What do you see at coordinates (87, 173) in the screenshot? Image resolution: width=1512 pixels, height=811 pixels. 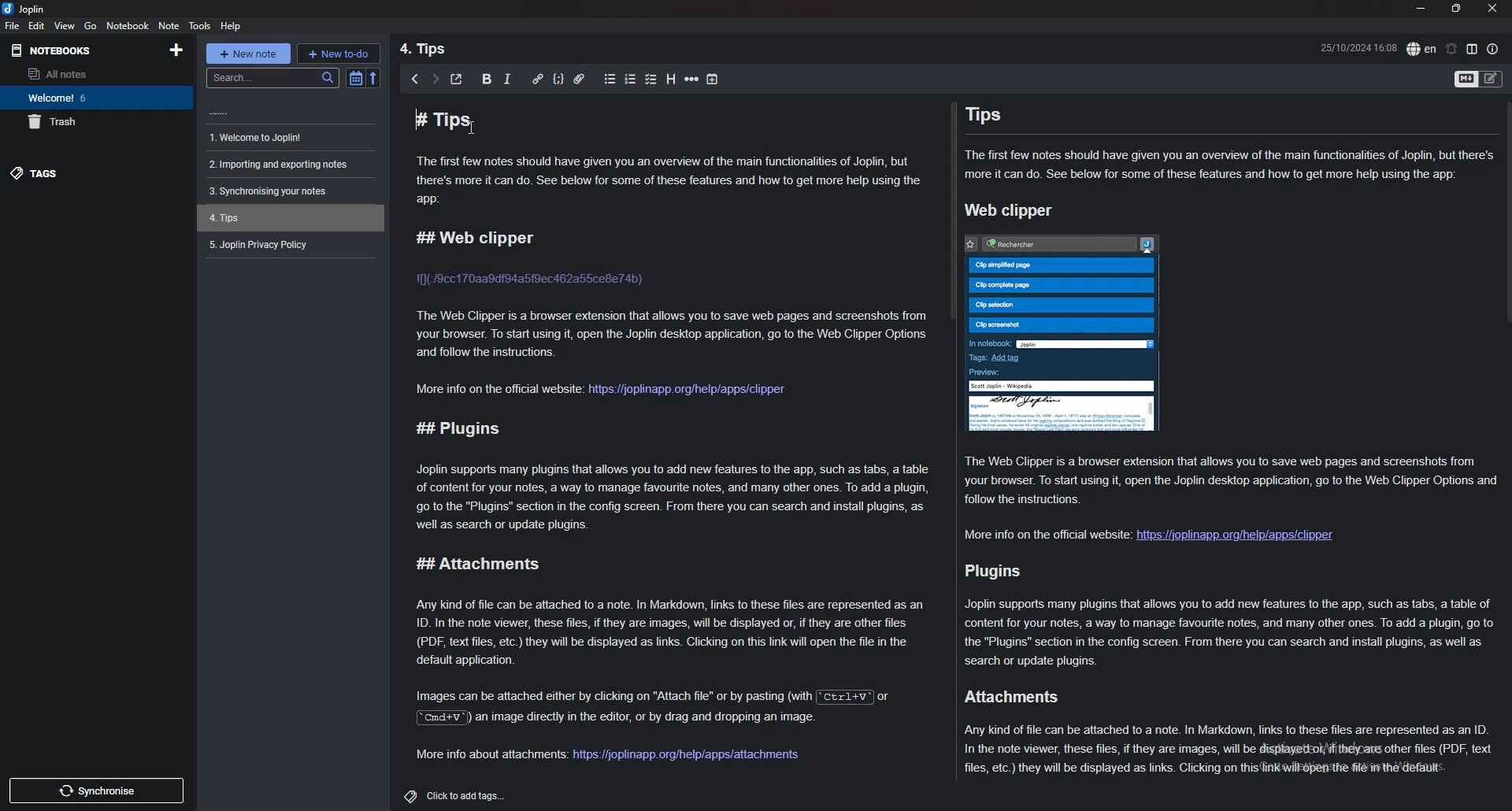 I see `tags` at bounding box center [87, 173].